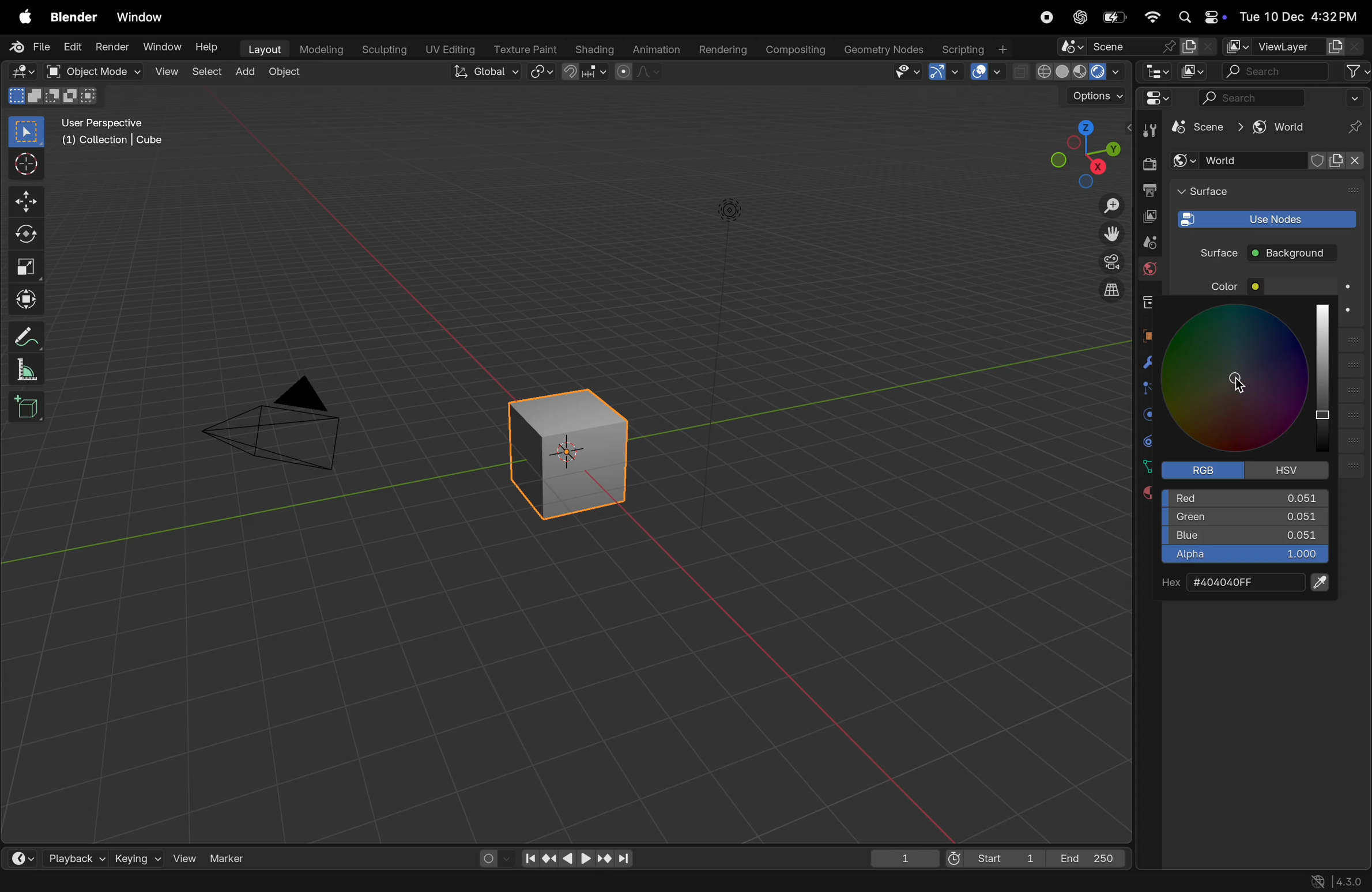 The width and height of the screenshot is (1372, 892). What do you see at coordinates (144, 16) in the screenshot?
I see `Window` at bounding box center [144, 16].